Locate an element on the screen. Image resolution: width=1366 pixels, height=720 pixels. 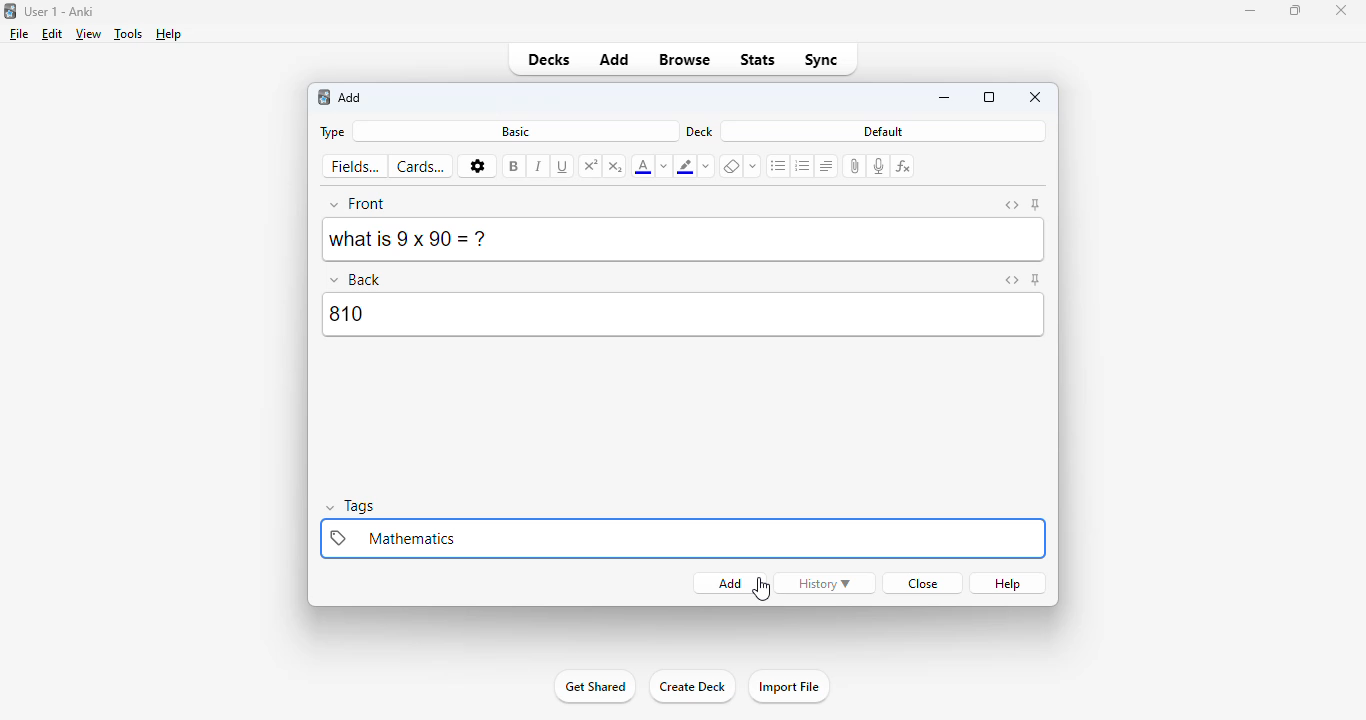
superscript is located at coordinates (592, 165).